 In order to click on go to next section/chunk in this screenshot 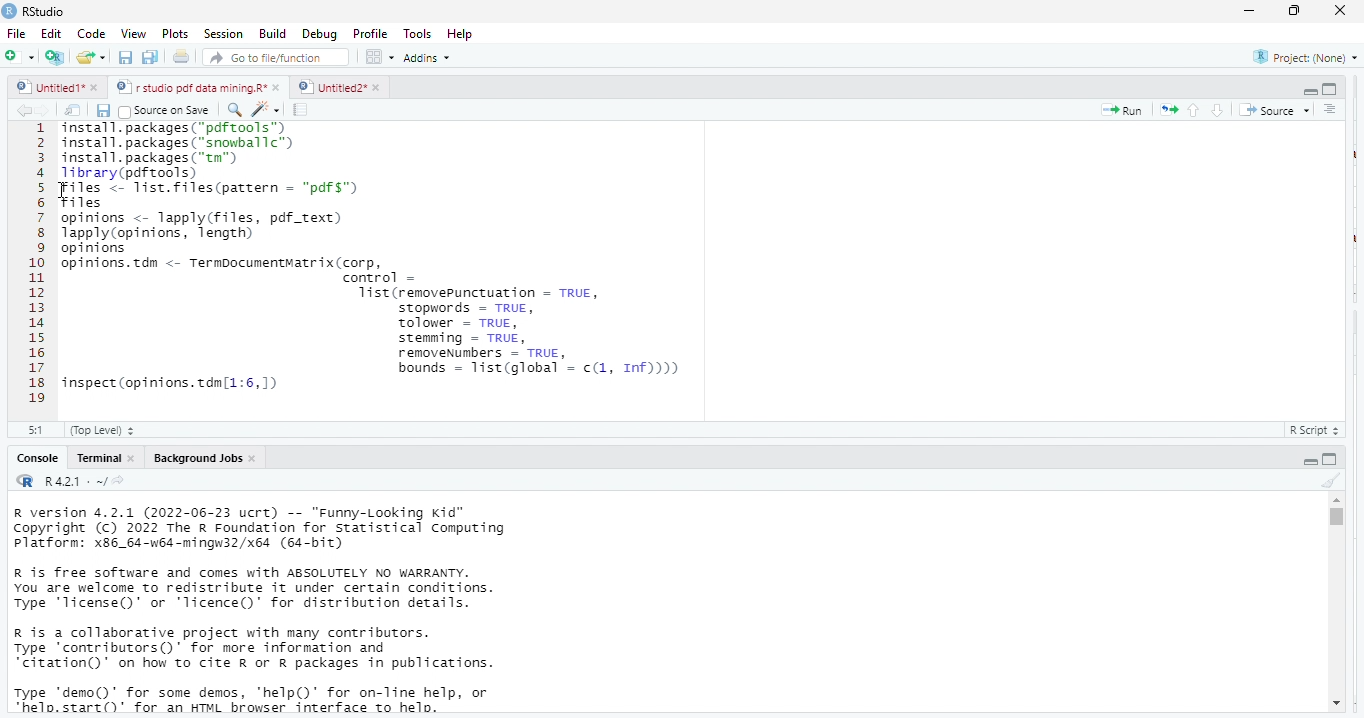, I will do `click(1219, 110)`.